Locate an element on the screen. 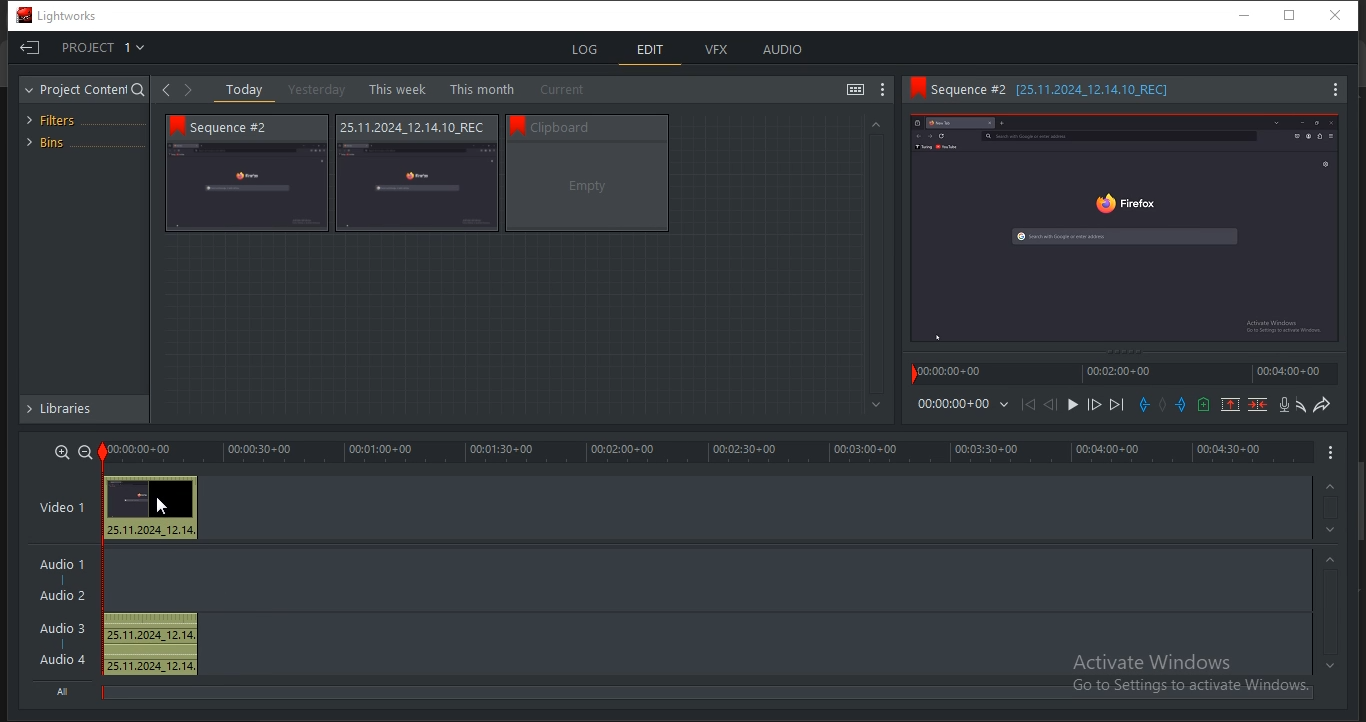  this week is located at coordinates (396, 88).